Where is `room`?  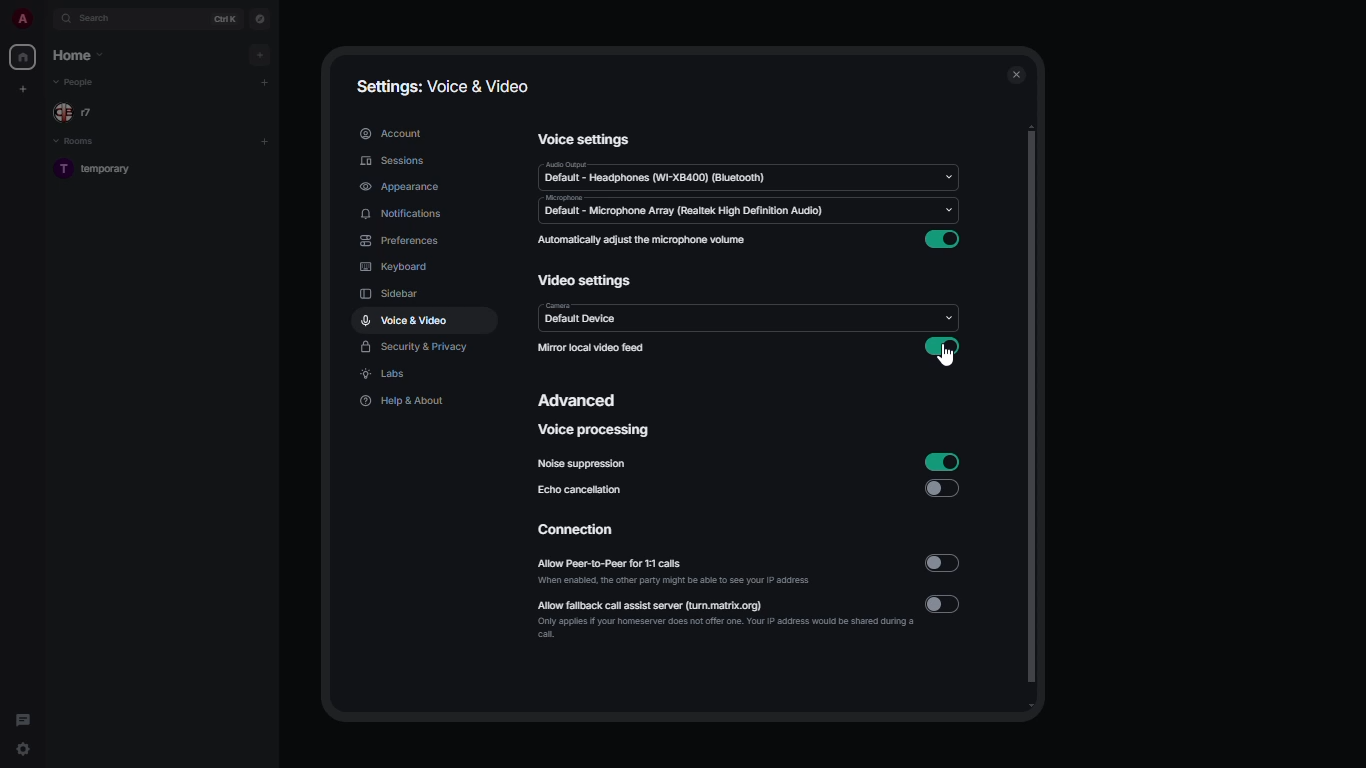
room is located at coordinates (102, 171).